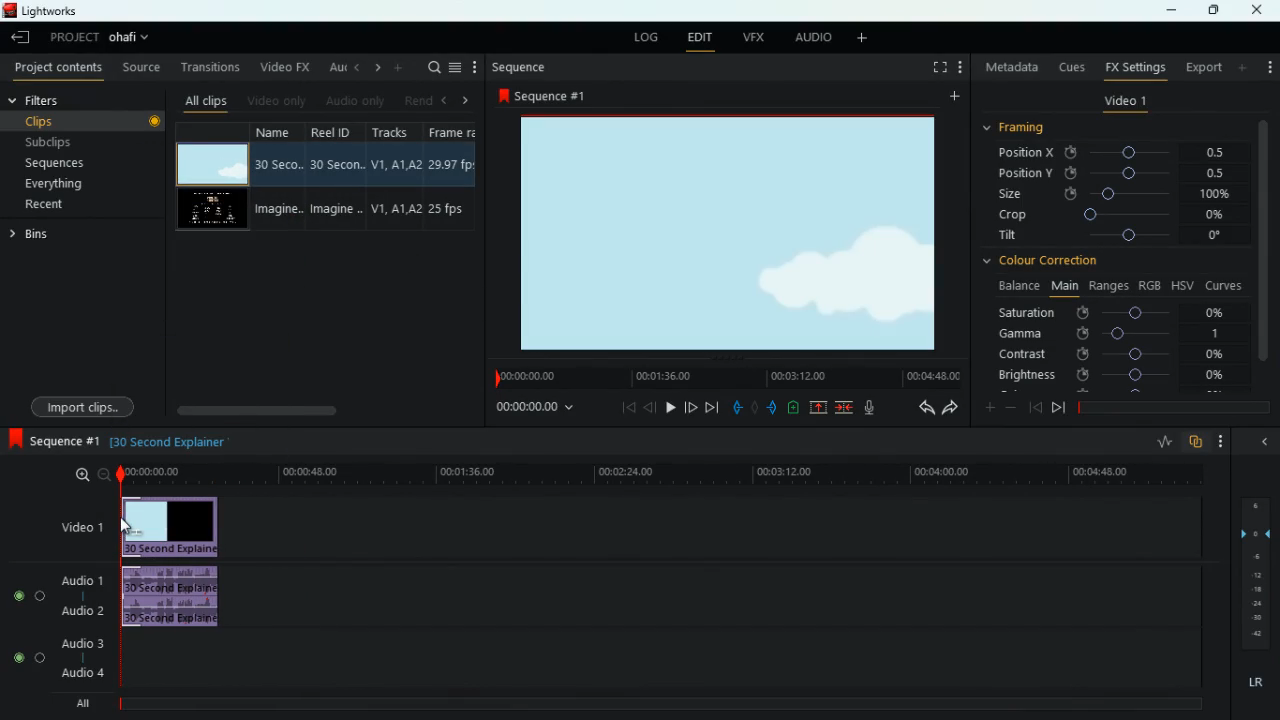 The height and width of the screenshot is (720, 1280). I want to click on Timeline, so click(667, 705).